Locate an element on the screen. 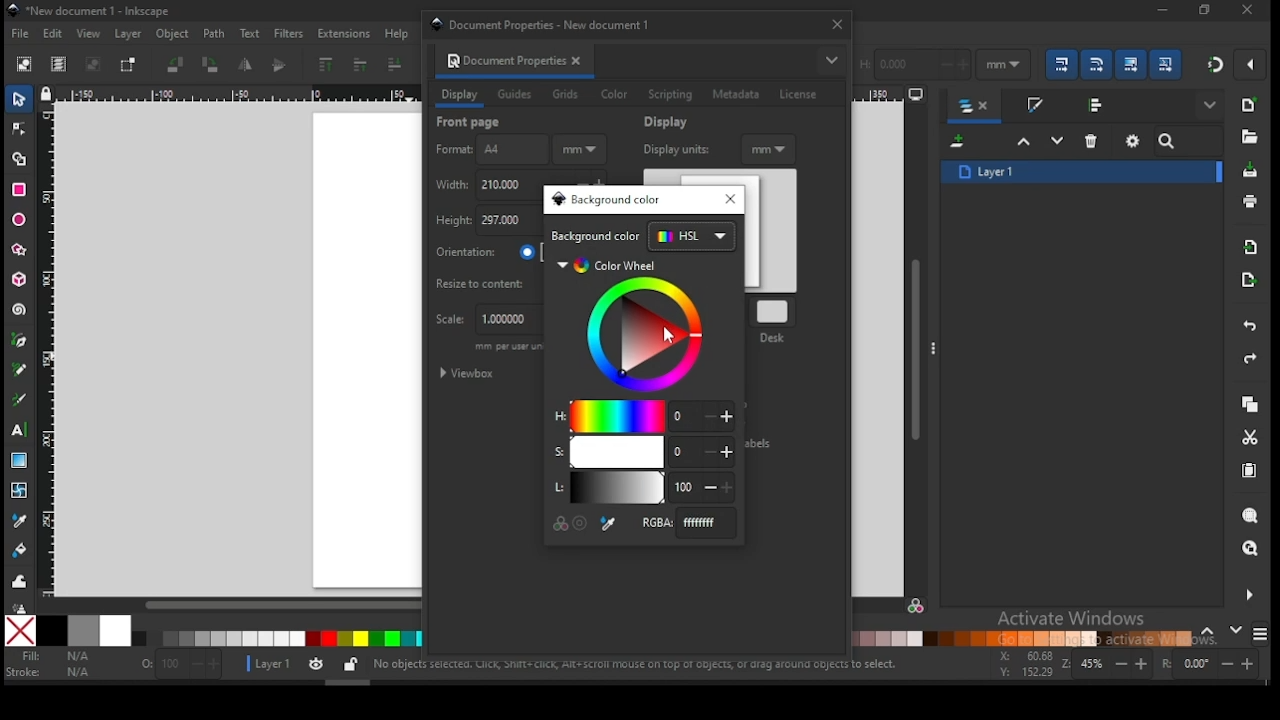  import is located at coordinates (1251, 247).